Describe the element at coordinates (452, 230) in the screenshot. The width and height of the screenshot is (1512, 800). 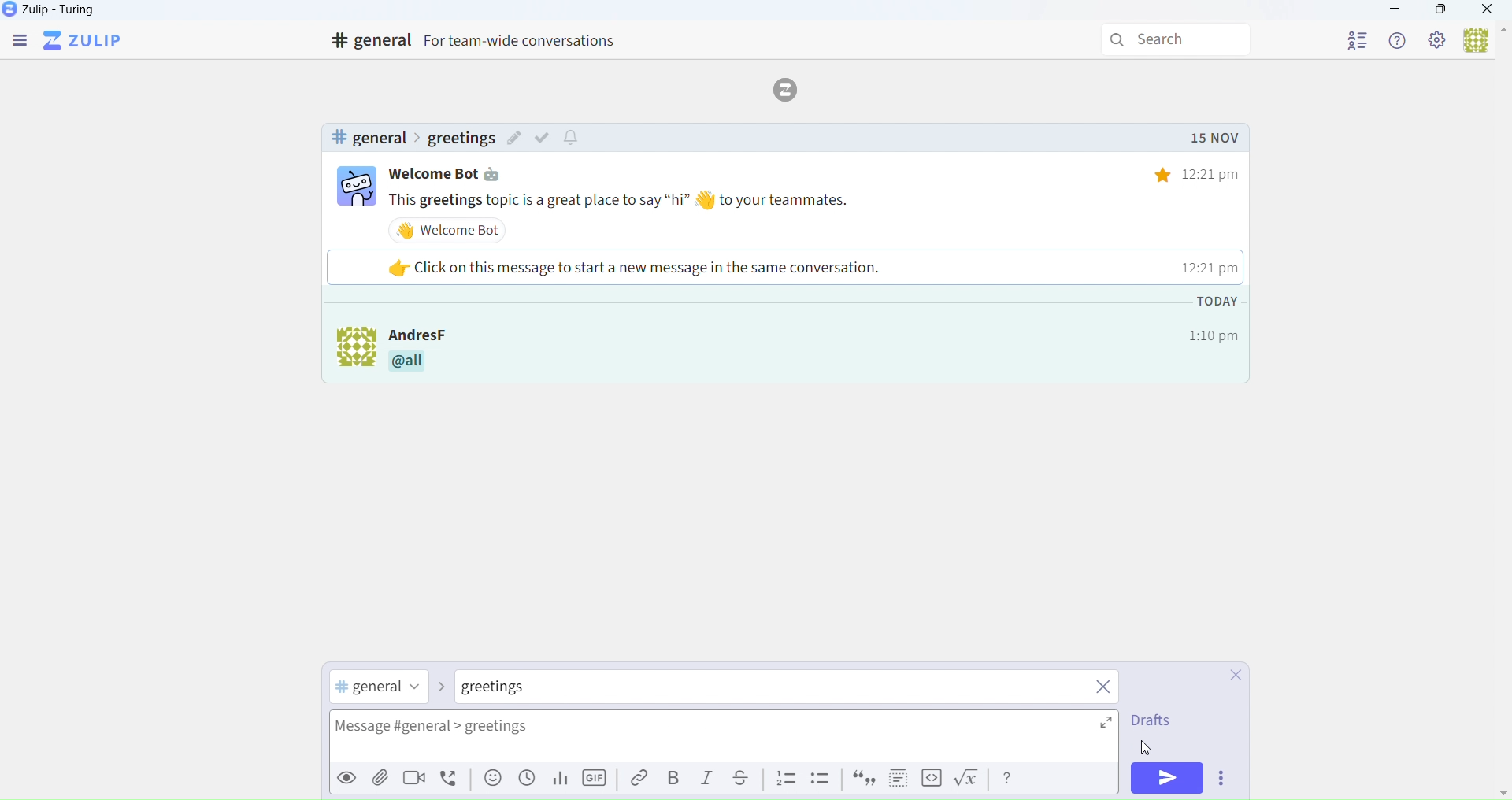
I see `welcome bot` at that location.